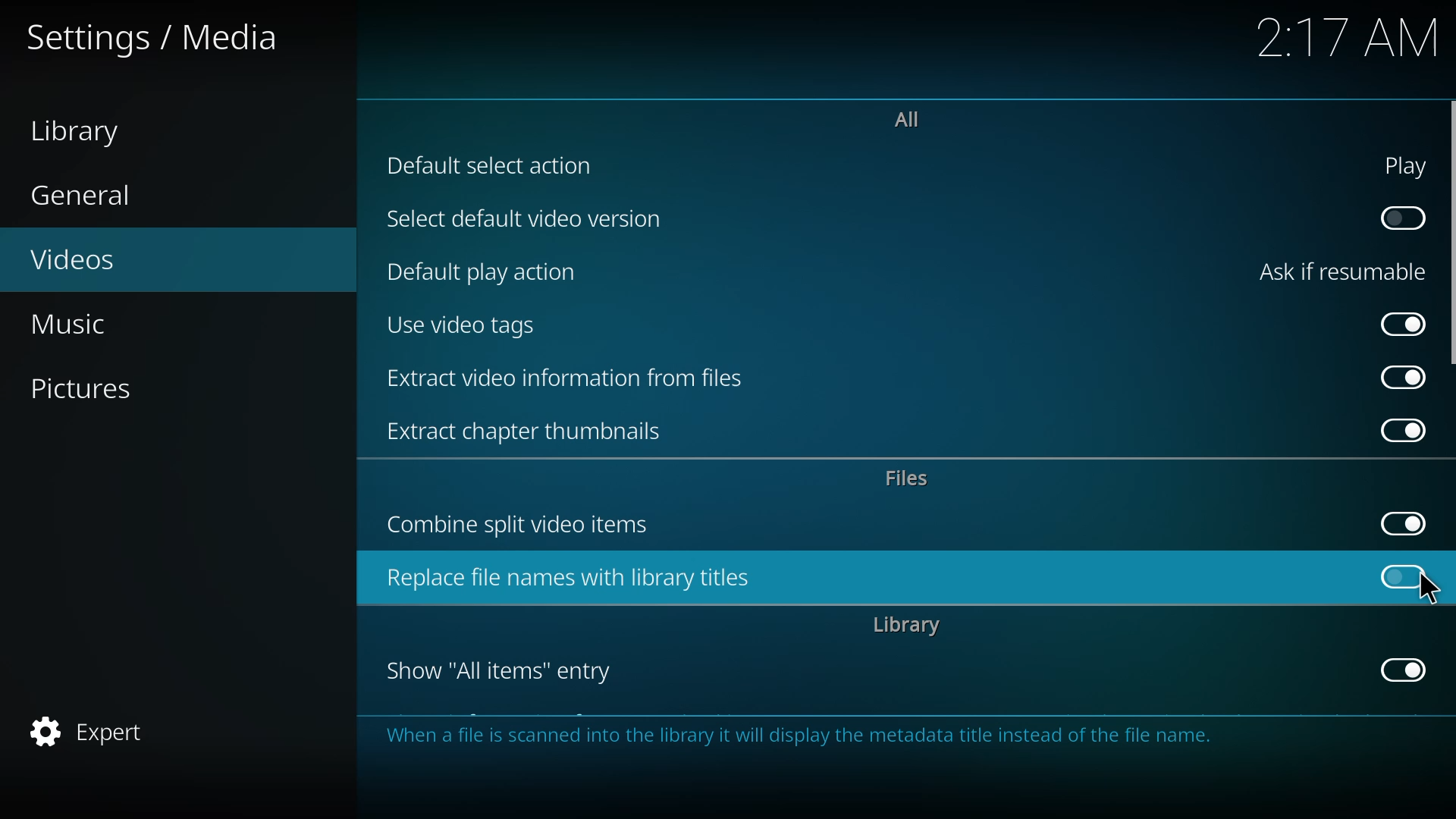 The width and height of the screenshot is (1456, 819). Describe the element at coordinates (83, 130) in the screenshot. I see `library` at that location.